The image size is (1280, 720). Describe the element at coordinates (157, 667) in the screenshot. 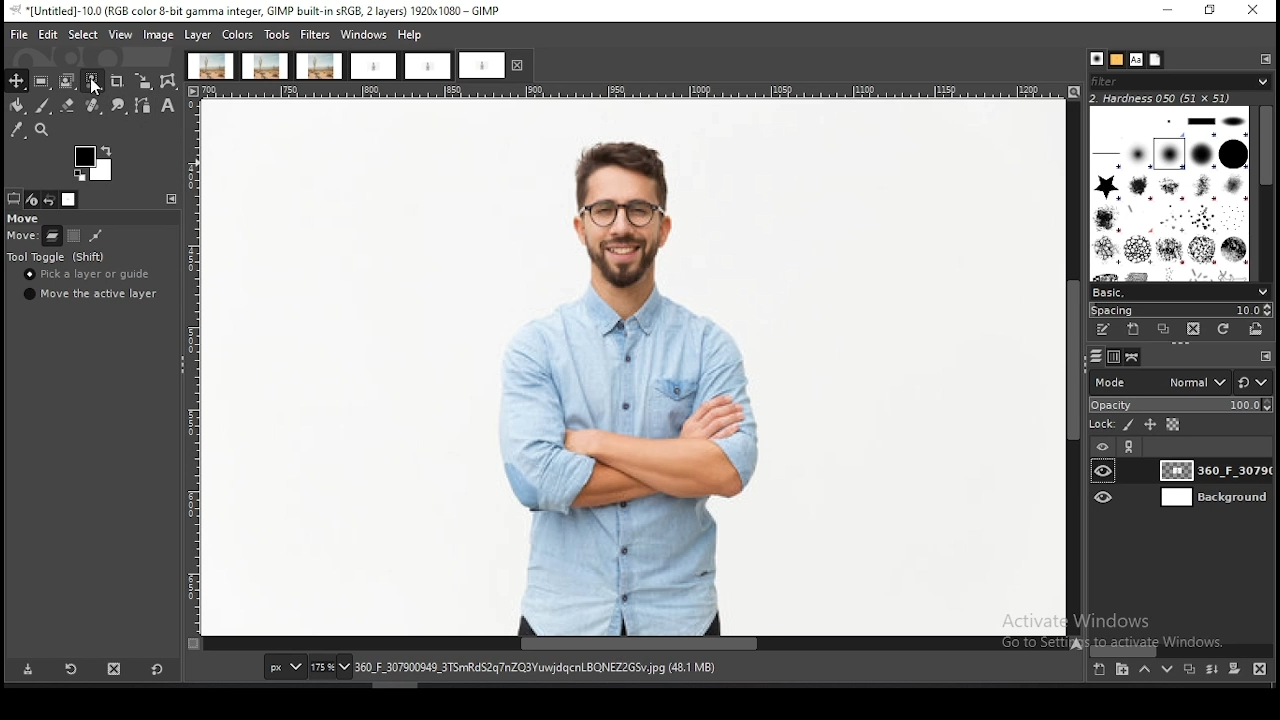

I see `reset` at that location.